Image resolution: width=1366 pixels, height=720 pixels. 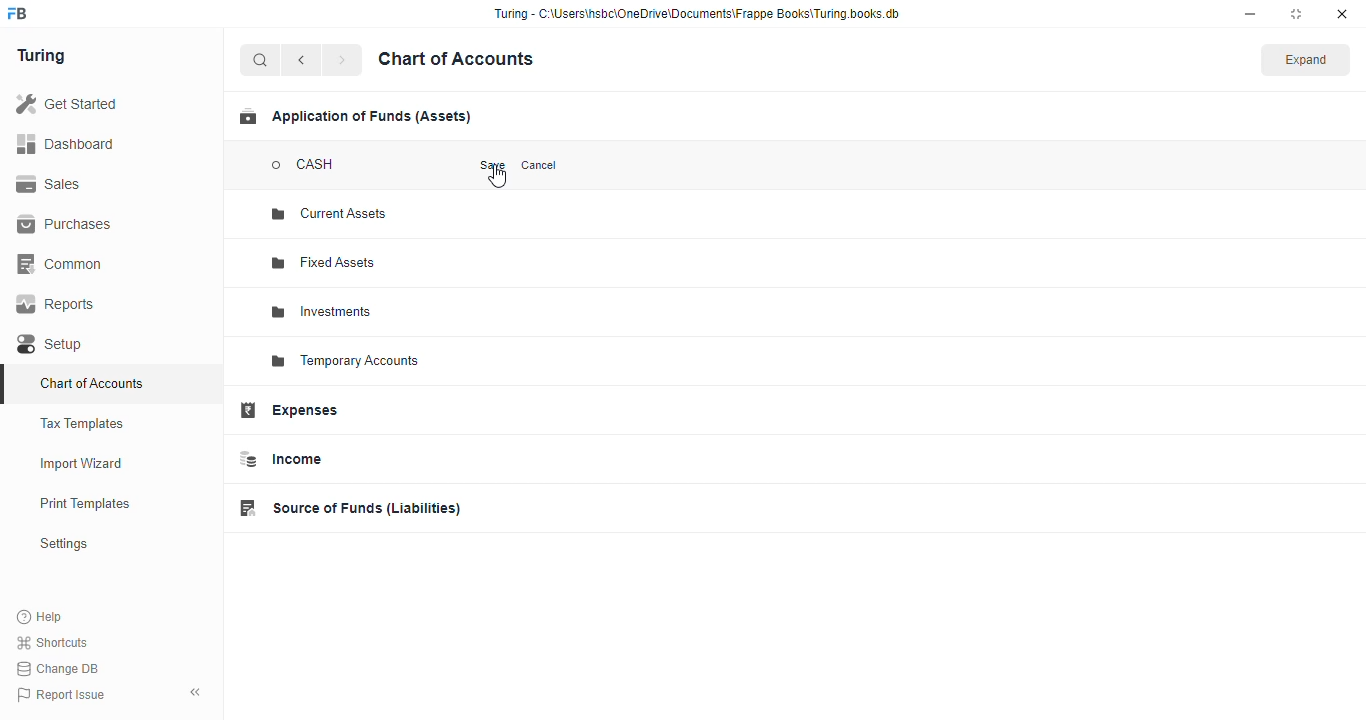 I want to click on toggle sidebar, so click(x=196, y=692).